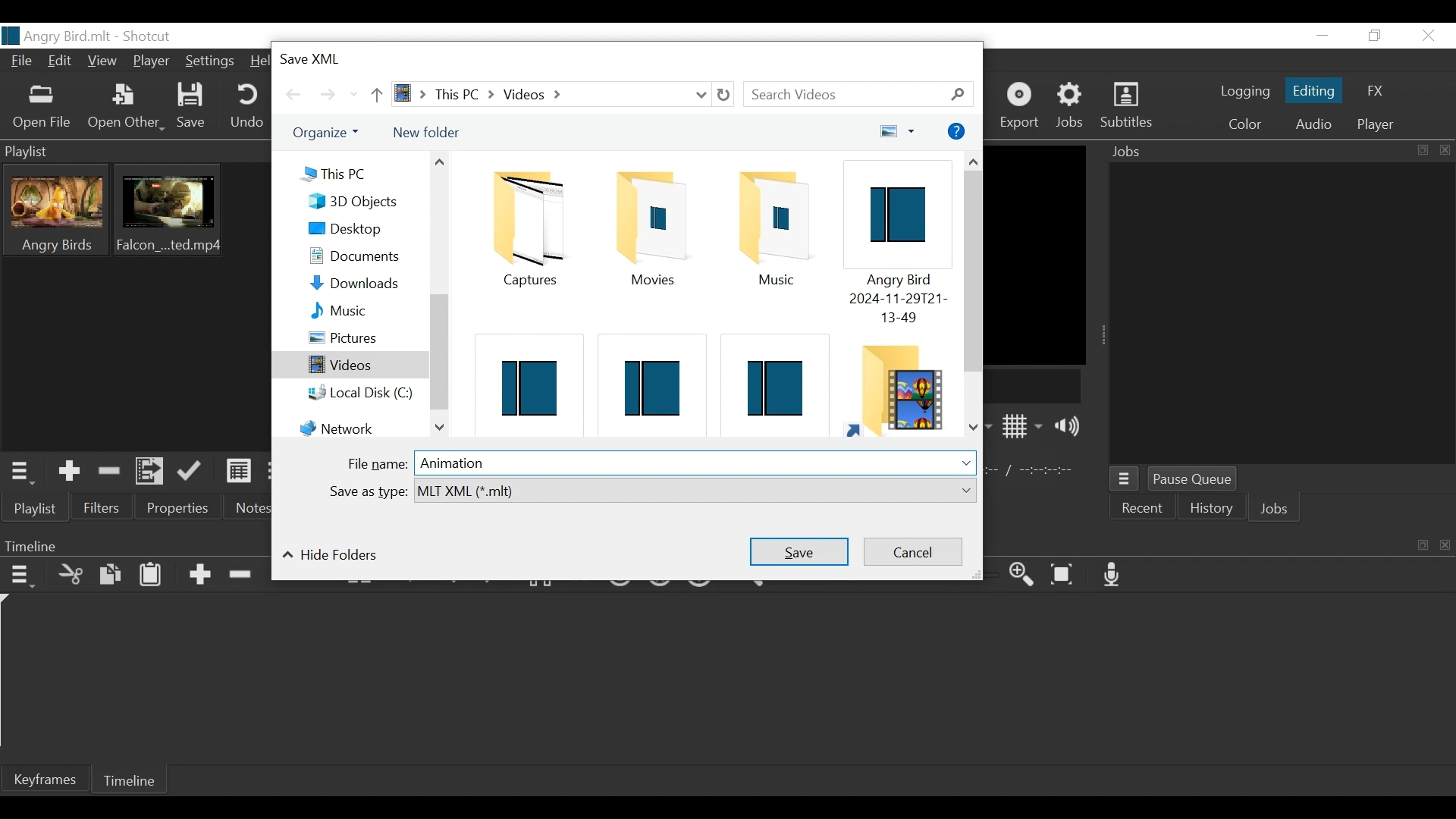 This screenshot has height=819, width=1456. Describe the element at coordinates (190, 472) in the screenshot. I see `Update` at that location.